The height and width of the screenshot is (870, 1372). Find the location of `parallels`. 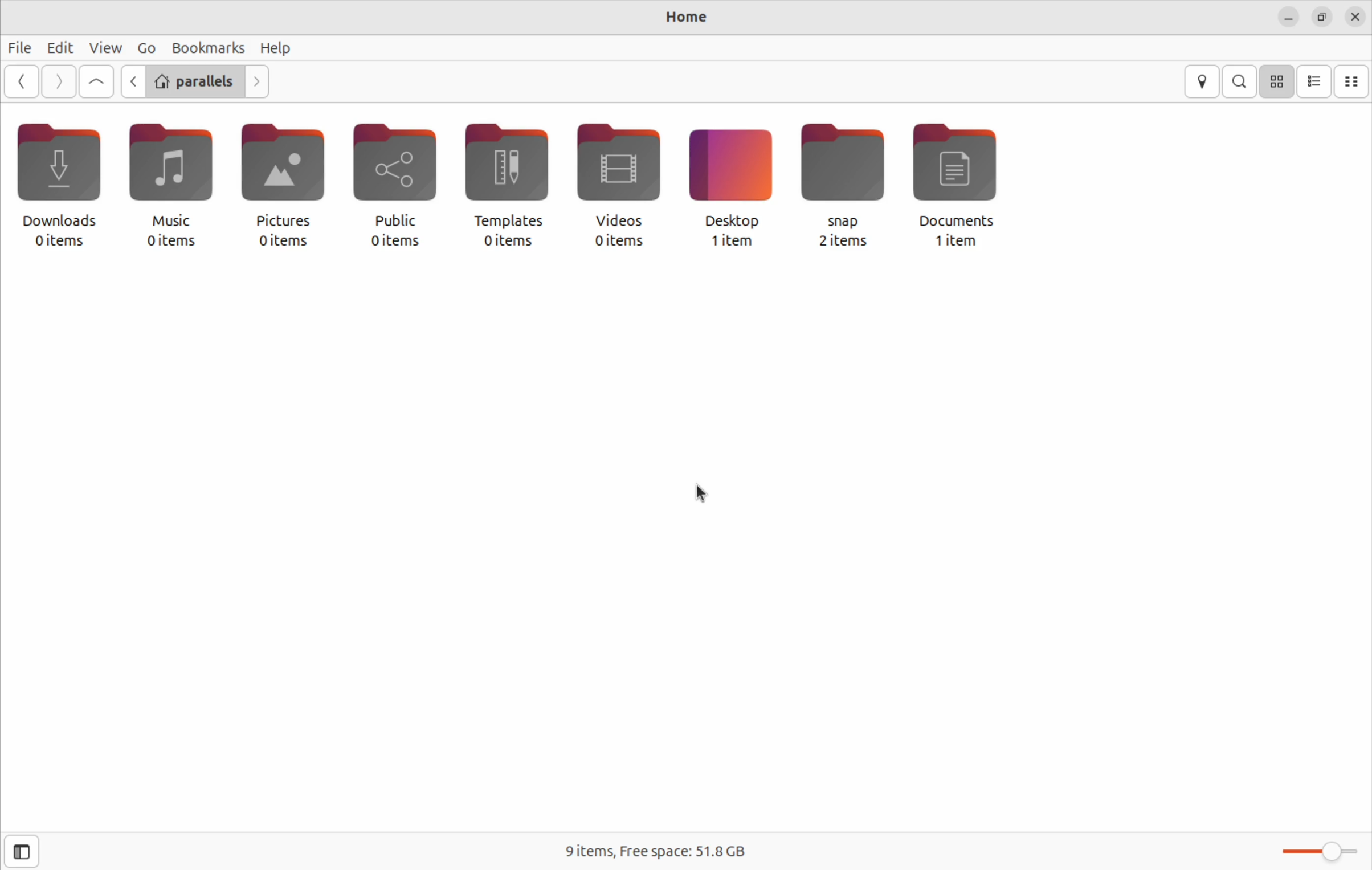

parallels is located at coordinates (194, 83).